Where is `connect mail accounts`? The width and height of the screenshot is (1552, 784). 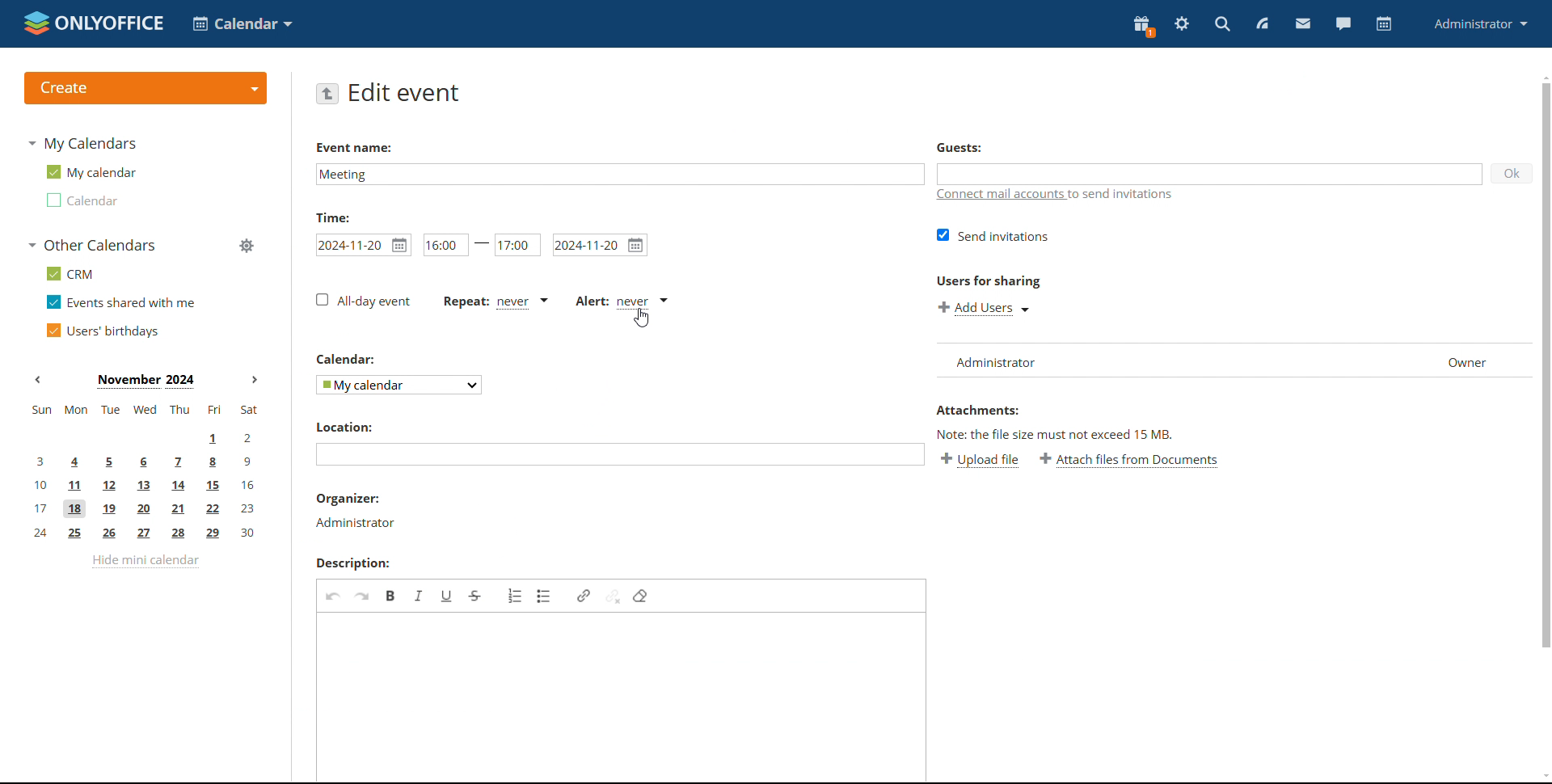
connect mail accounts is located at coordinates (1063, 196).